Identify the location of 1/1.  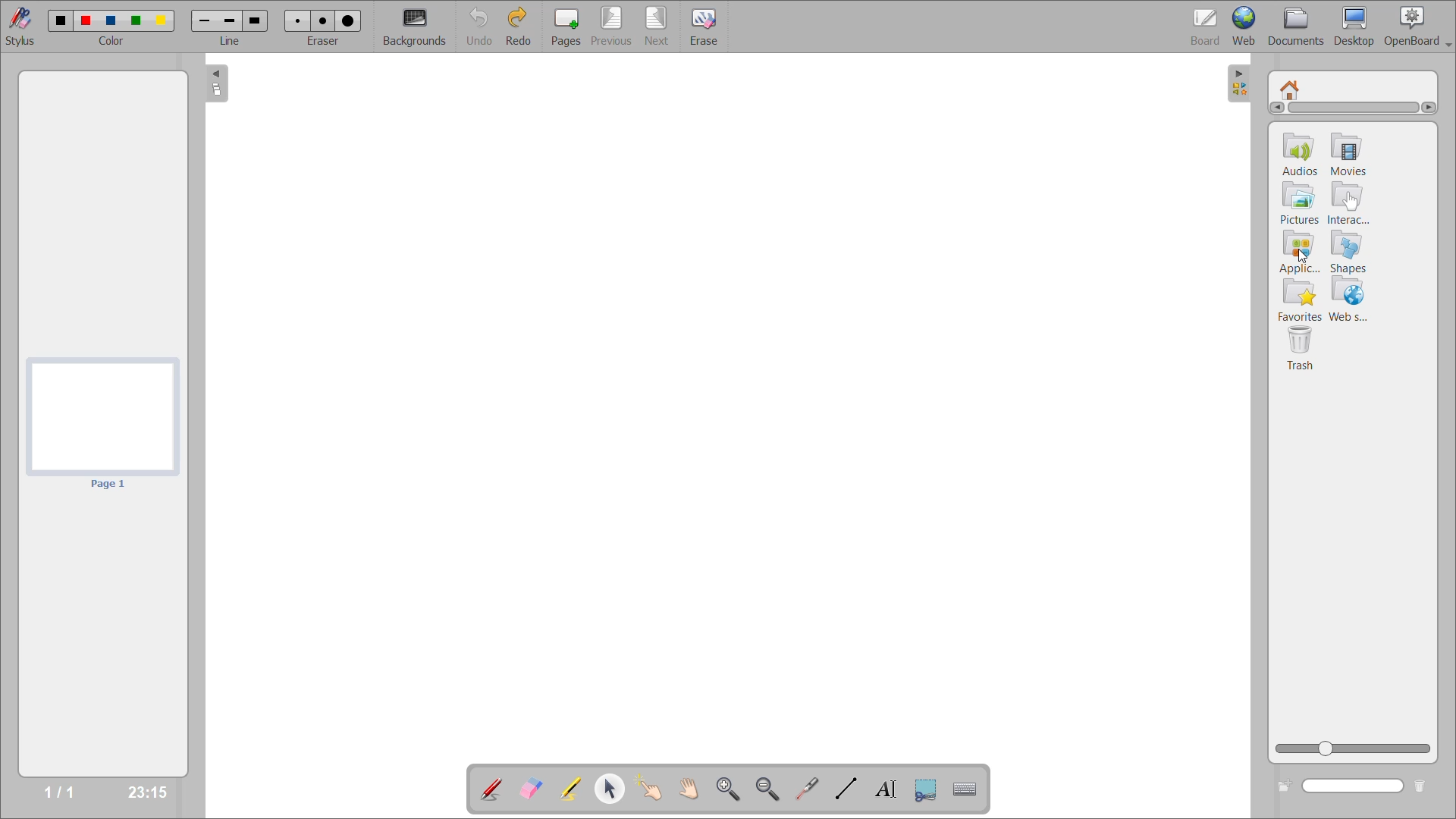
(64, 792).